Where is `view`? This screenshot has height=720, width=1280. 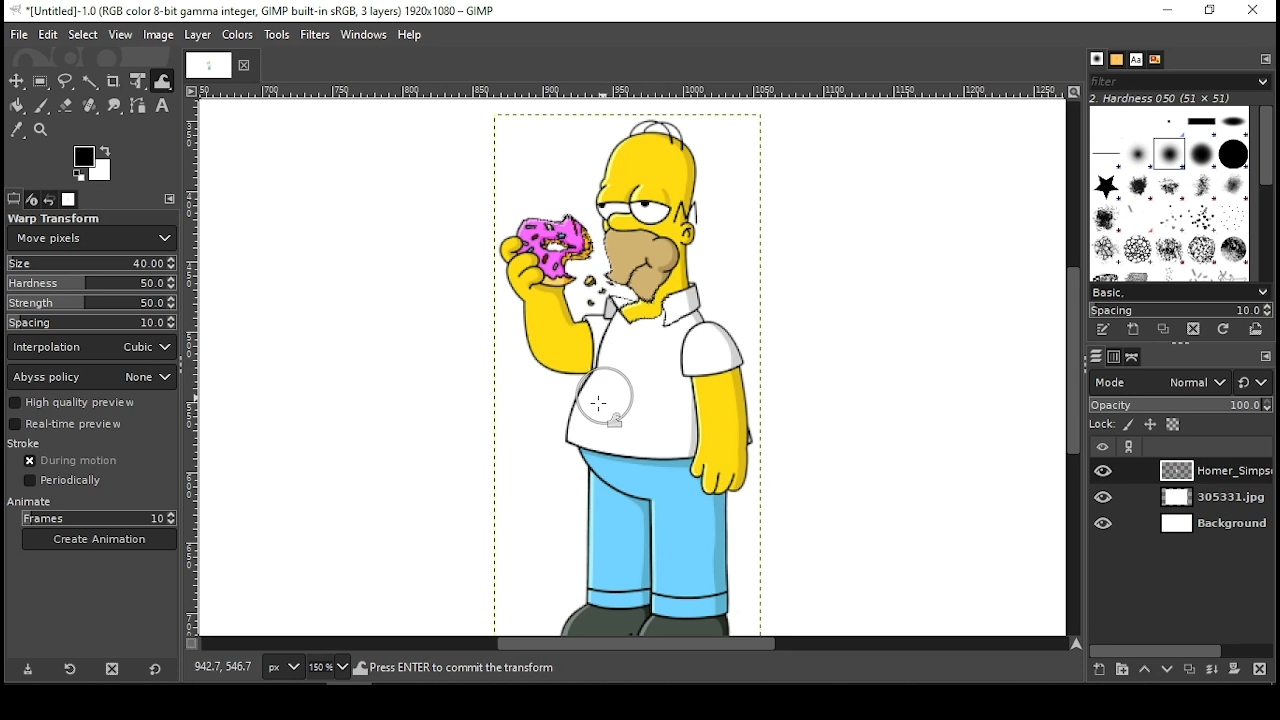 view is located at coordinates (122, 35).